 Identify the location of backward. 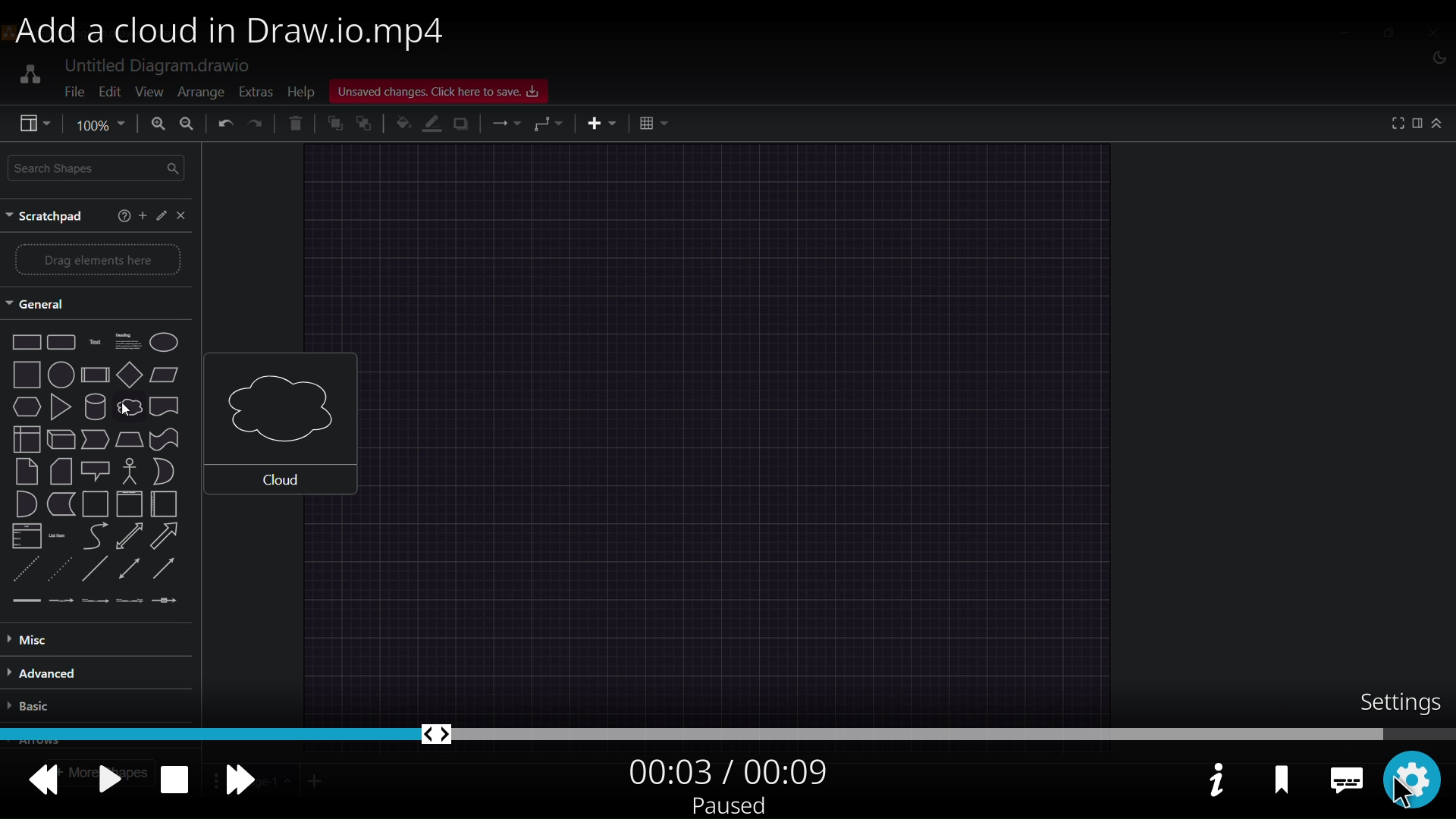
(41, 777).